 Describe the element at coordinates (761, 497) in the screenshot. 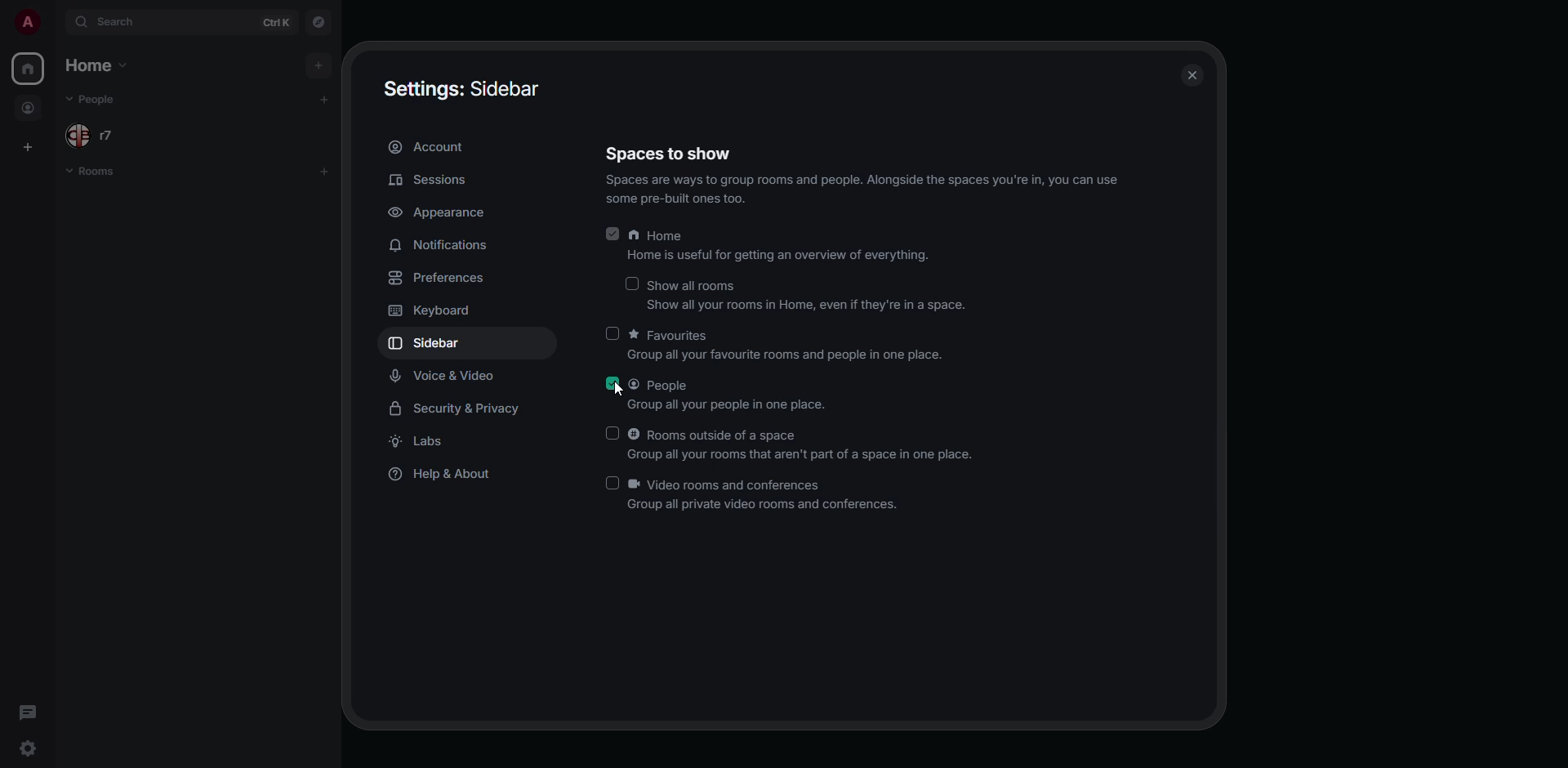

I see ` Video rooms and conferencesGroup all private video rooms and conferences.` at that location.